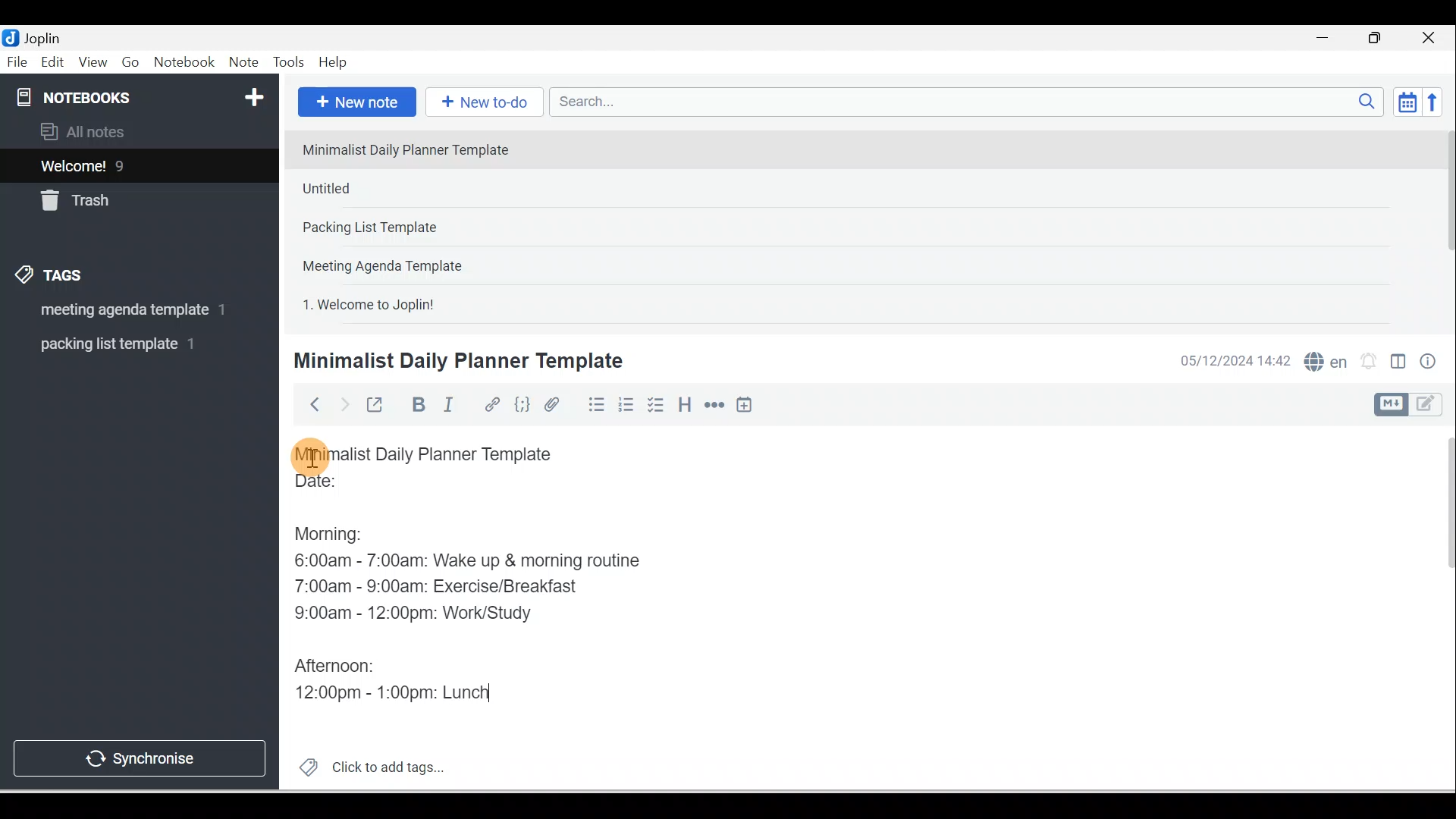  What do you see at coordinates (128, 344) in the screenshot?
I see `Tag 2` at bounding box center [128, 344].